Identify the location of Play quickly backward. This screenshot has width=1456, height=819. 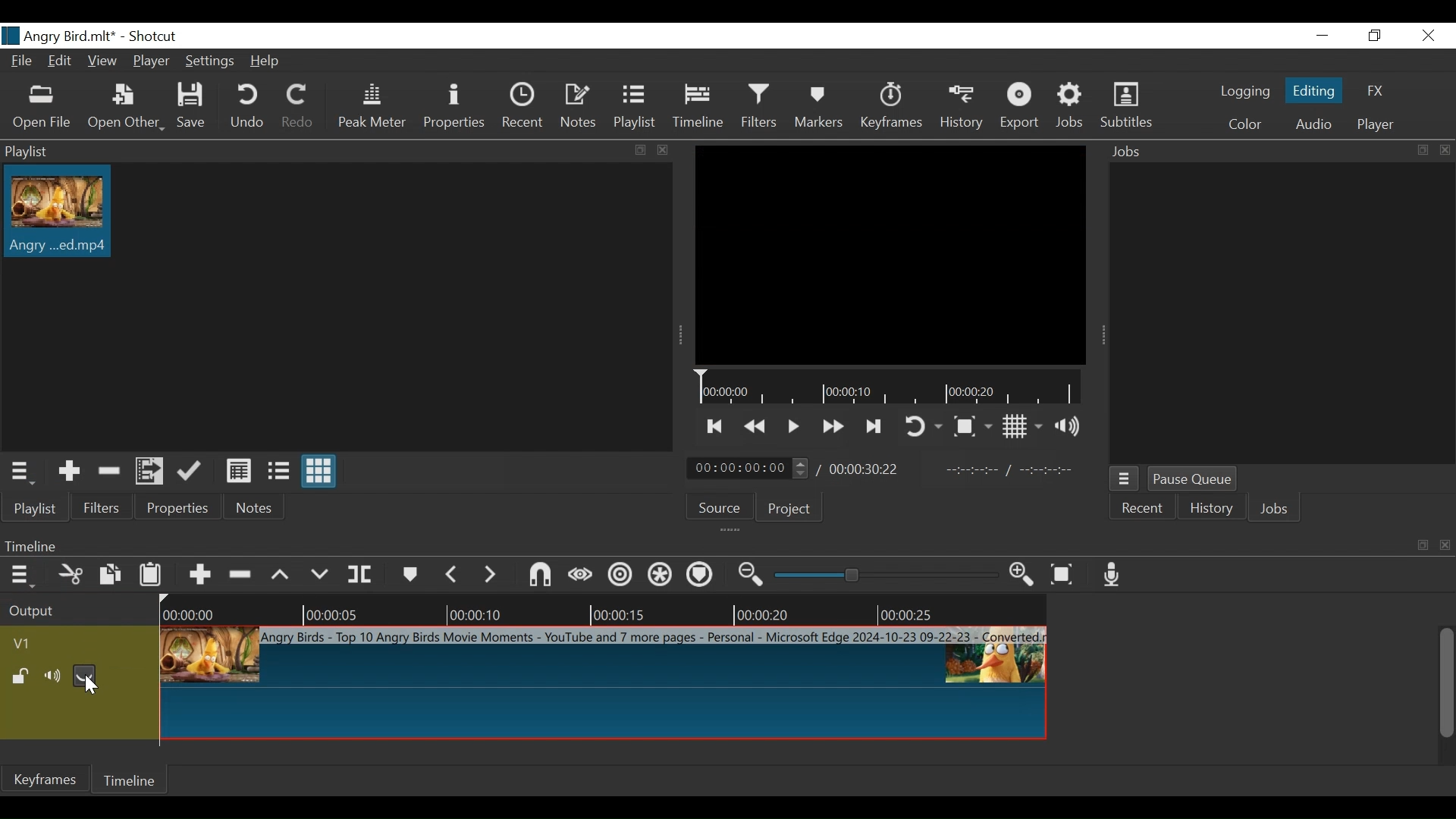
(754, 427).